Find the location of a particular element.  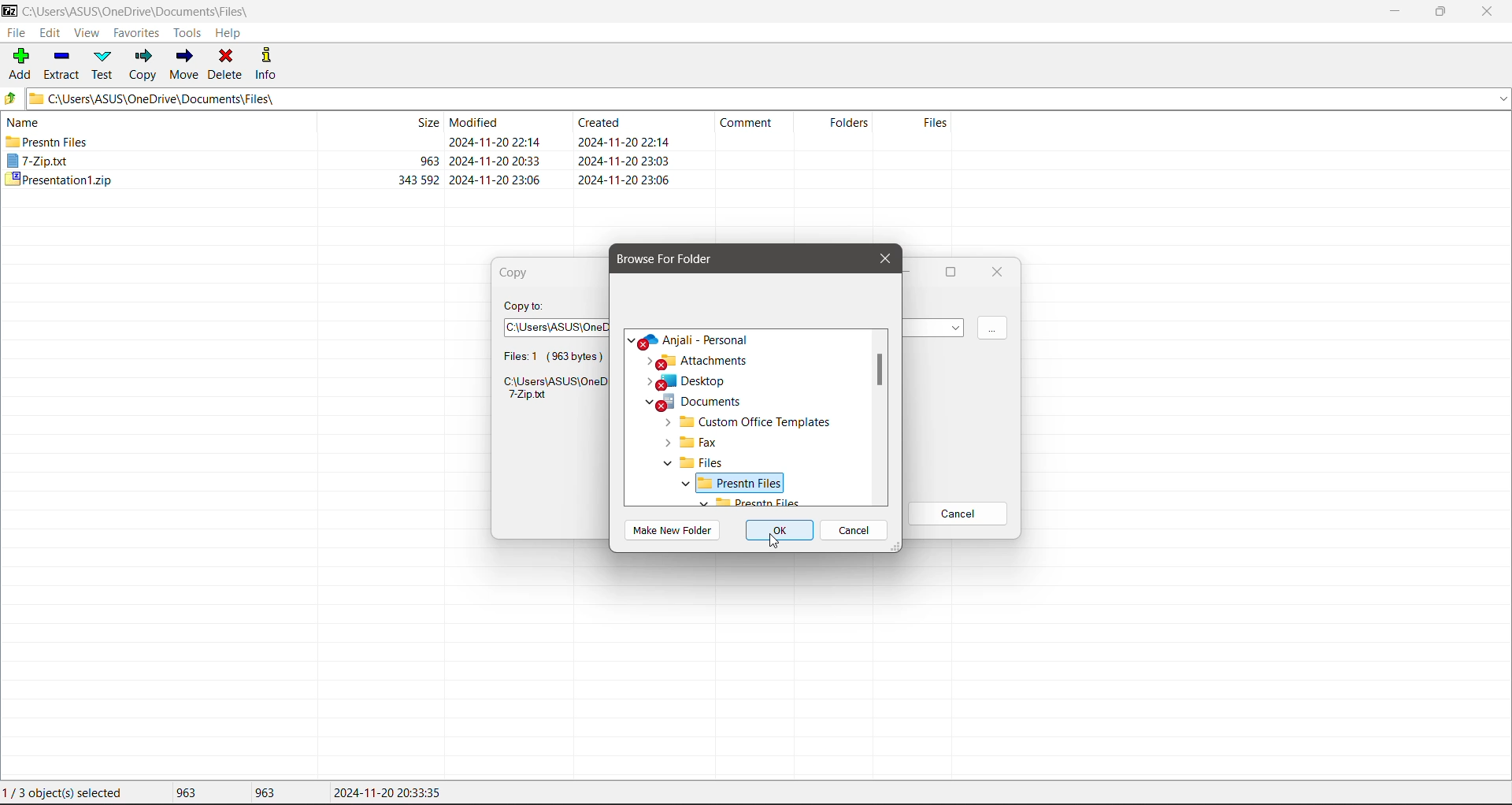

Info is located at coordinates (267, 62).